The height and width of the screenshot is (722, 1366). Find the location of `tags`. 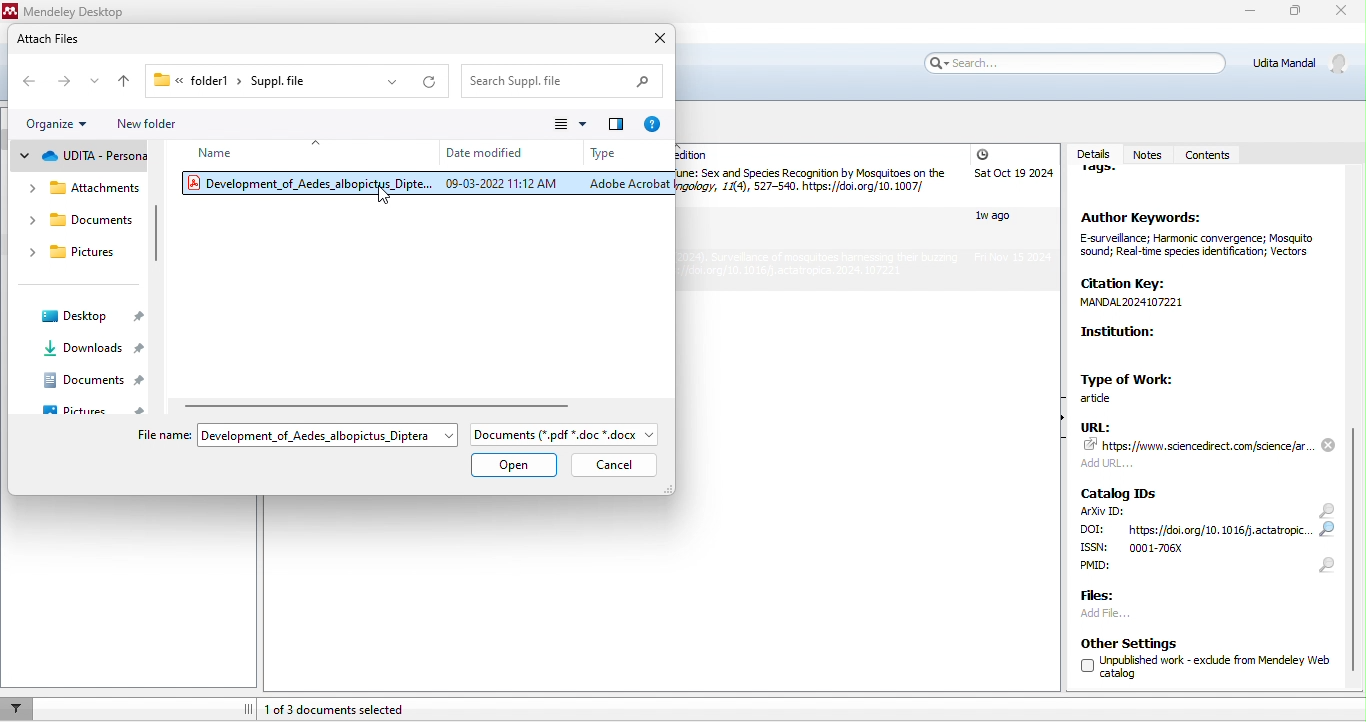

tags is located at coordinates (1107, 176).